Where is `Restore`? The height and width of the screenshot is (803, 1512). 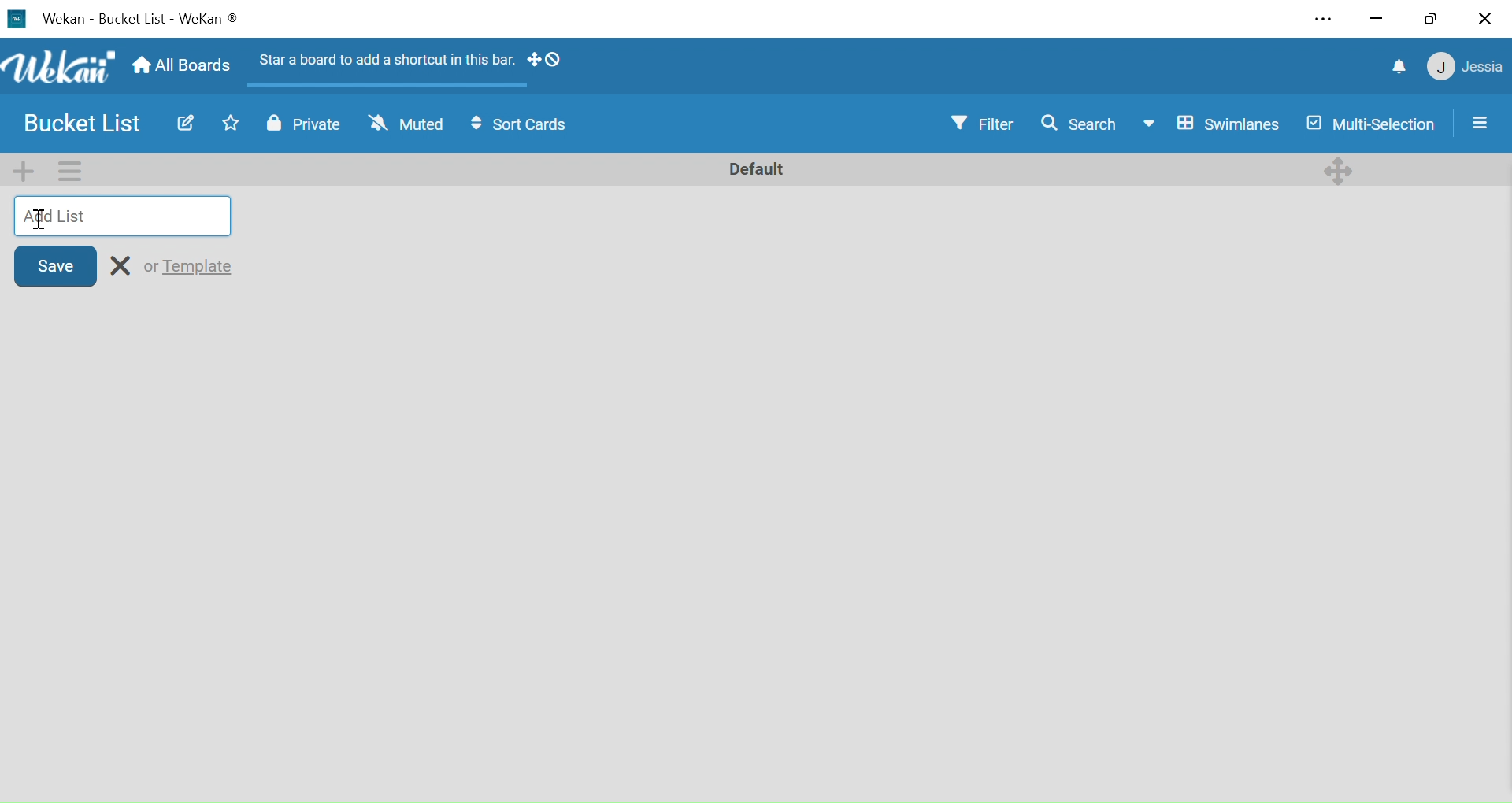
Restore is located at coordinates (1430, 19).